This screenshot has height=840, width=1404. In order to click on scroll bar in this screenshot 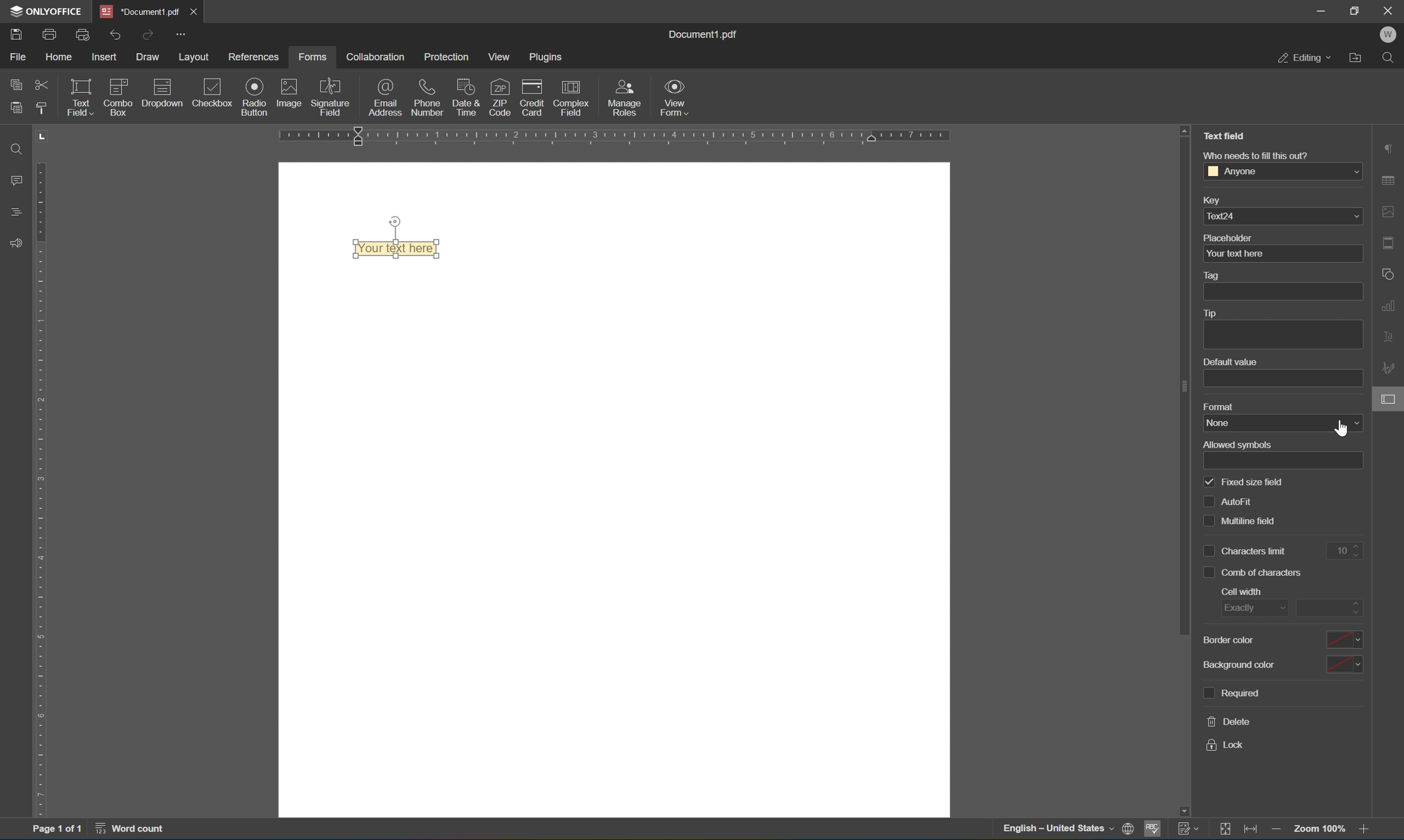, I will do `click(1184, 387)`.